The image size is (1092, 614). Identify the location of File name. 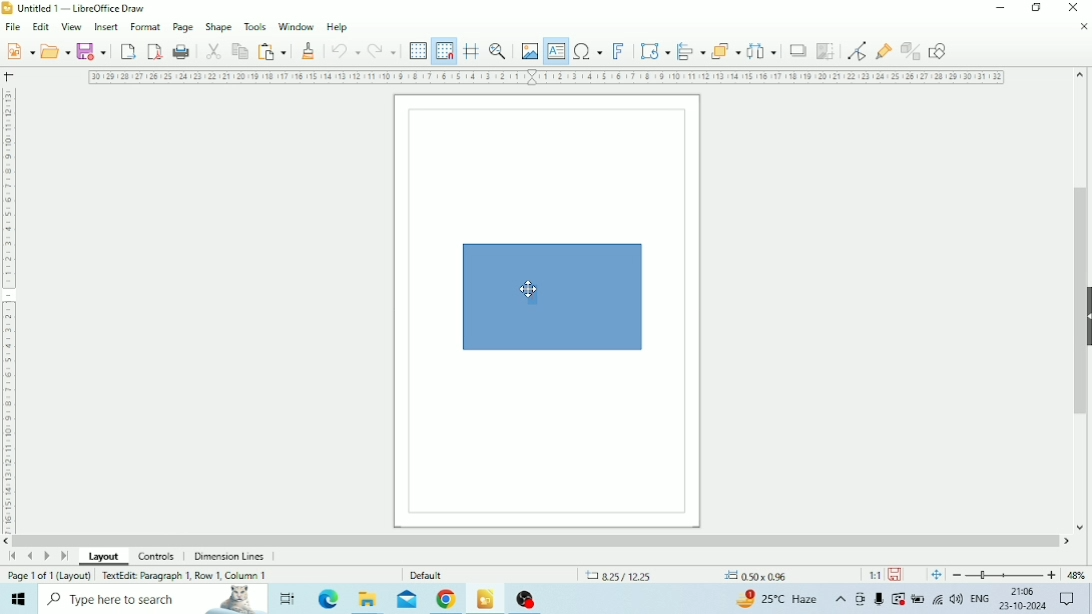
(85, 8).